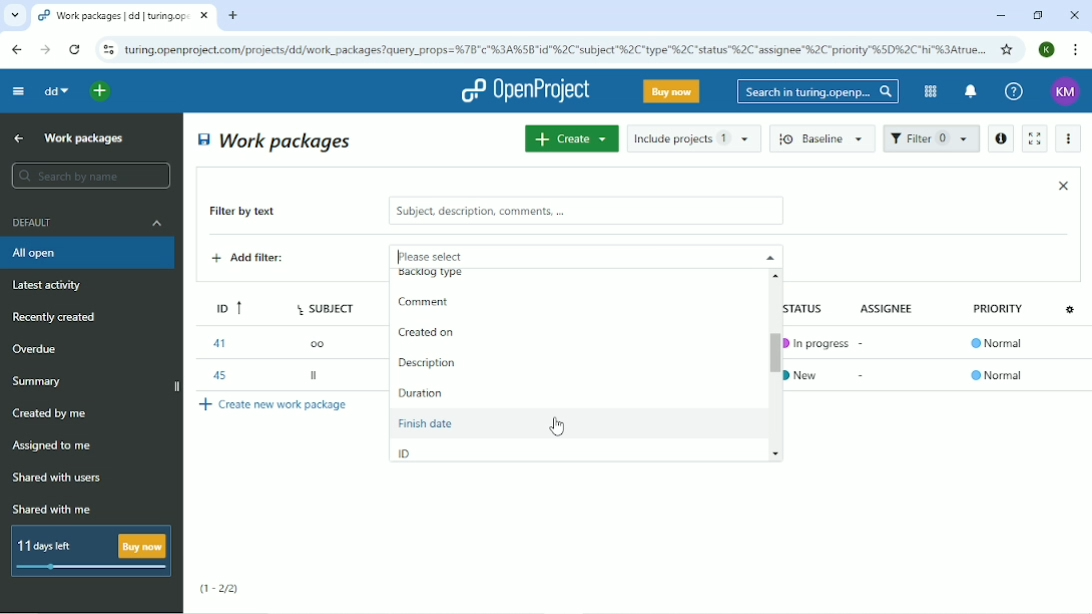 The width and height of the screenshot is (1092, 614). I want to click on Customize and control google chrome, so click(1077, 50).